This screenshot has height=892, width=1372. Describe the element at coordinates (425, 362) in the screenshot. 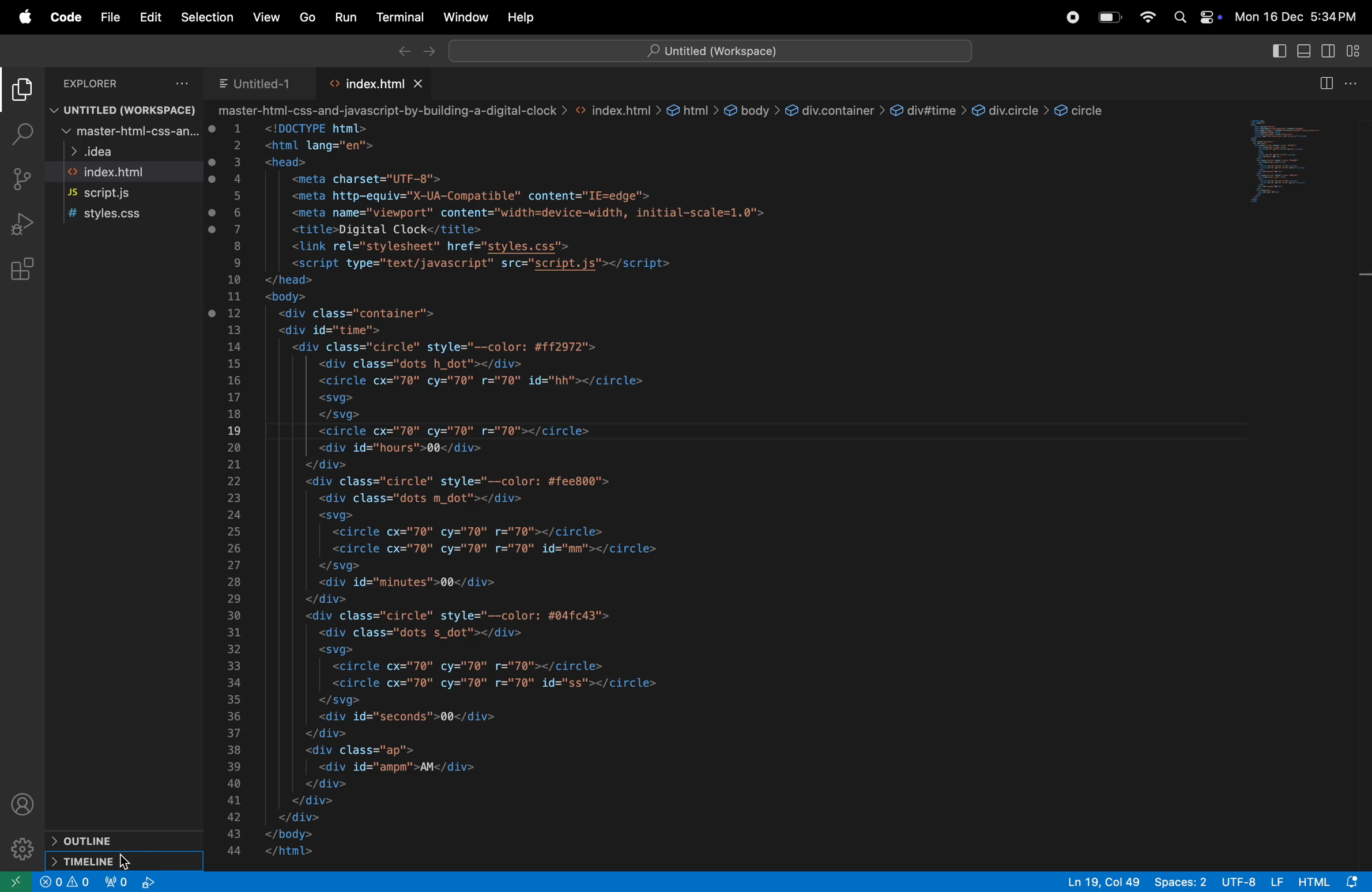

I see `| <div class="dots h_dot"></div>` at that location.